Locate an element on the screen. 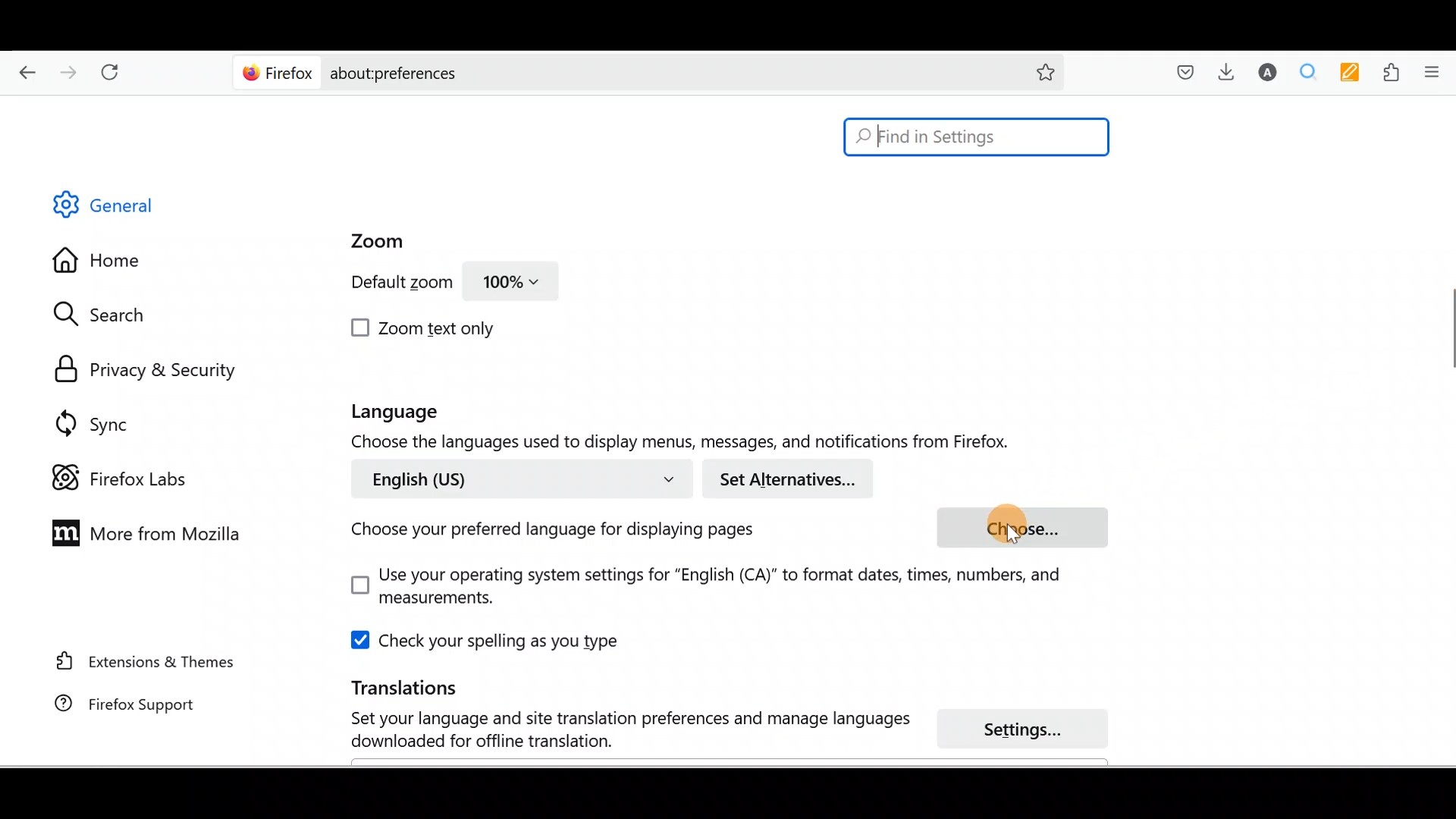  Home is located at coordinates (108, 264).